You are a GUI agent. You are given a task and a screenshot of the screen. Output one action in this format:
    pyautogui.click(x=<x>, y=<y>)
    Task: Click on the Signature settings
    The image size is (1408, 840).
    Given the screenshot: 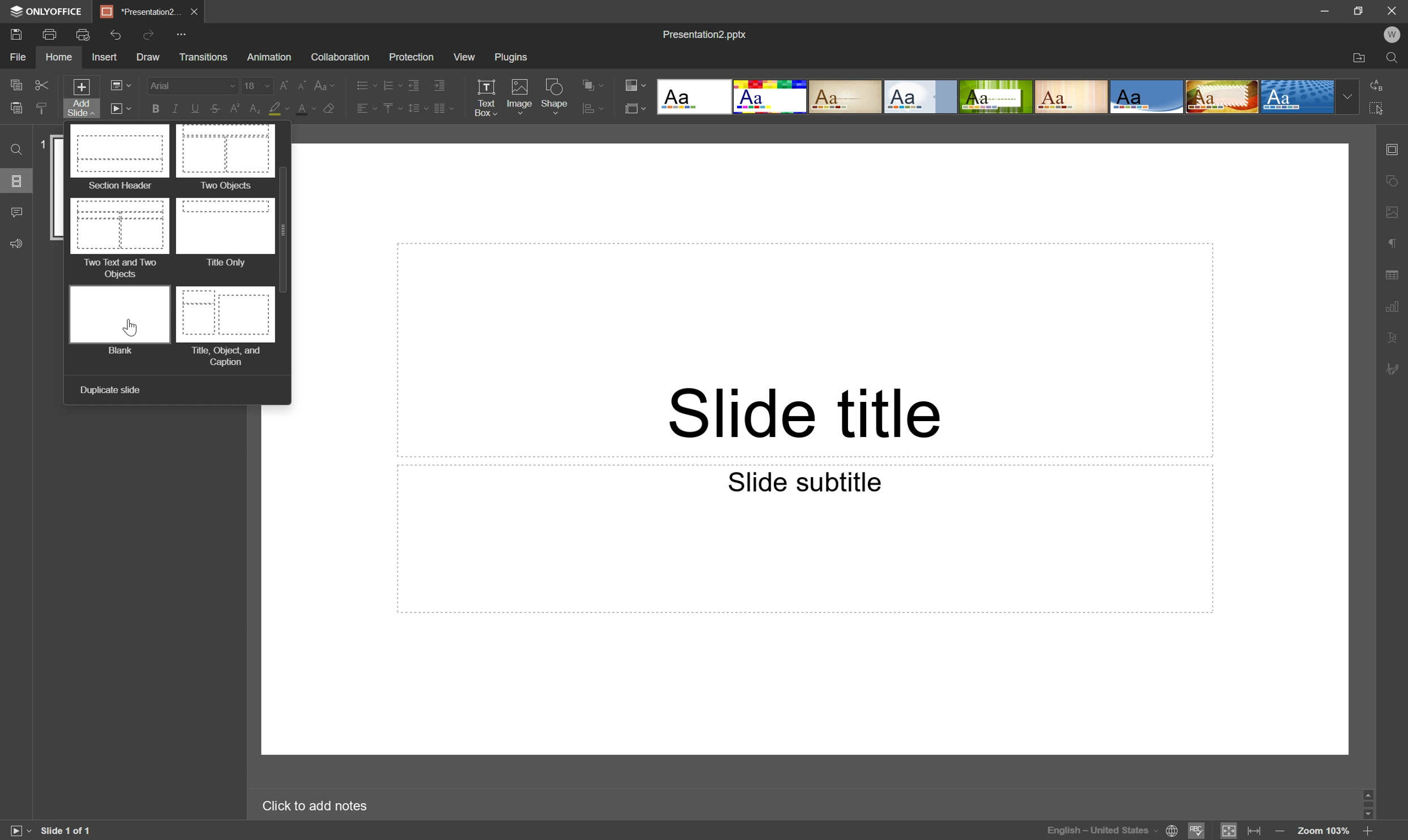 What is the action you would take?
    pyautogui.click(x=1397, y=368)
    